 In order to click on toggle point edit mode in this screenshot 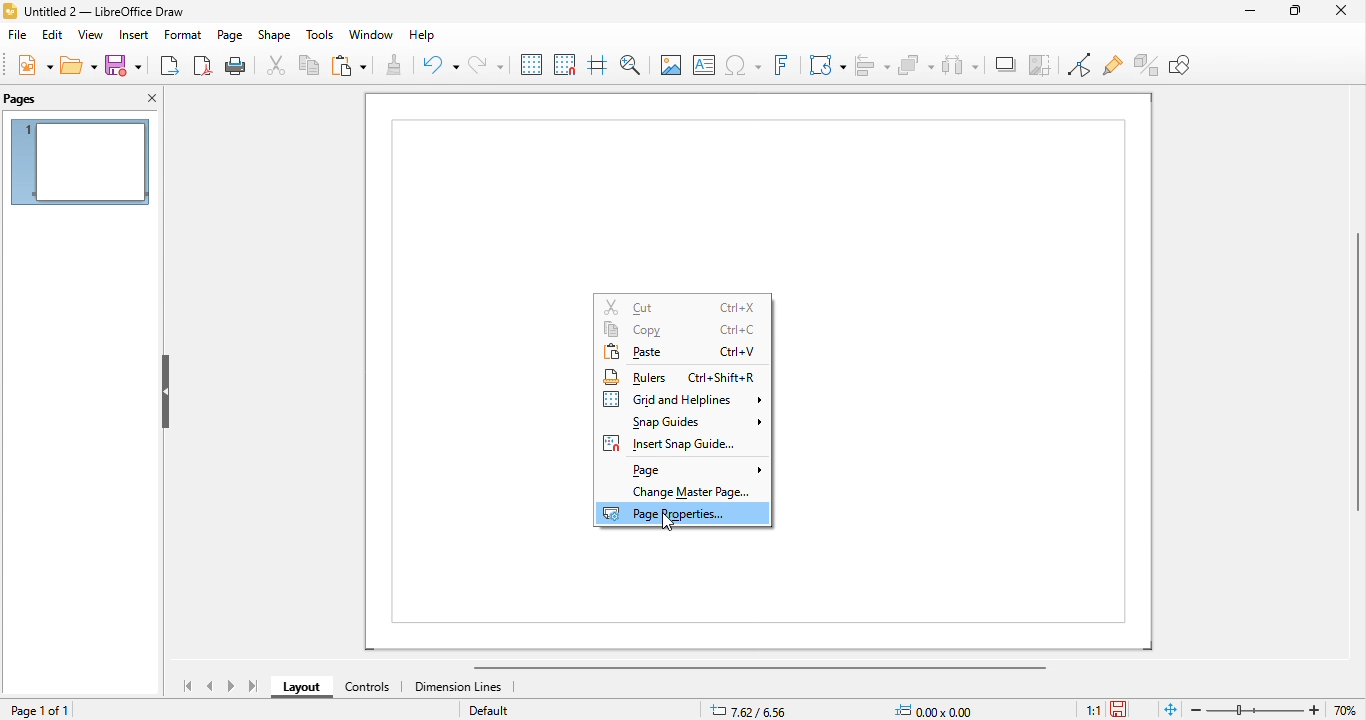, I will do `click(1077, 65)`.